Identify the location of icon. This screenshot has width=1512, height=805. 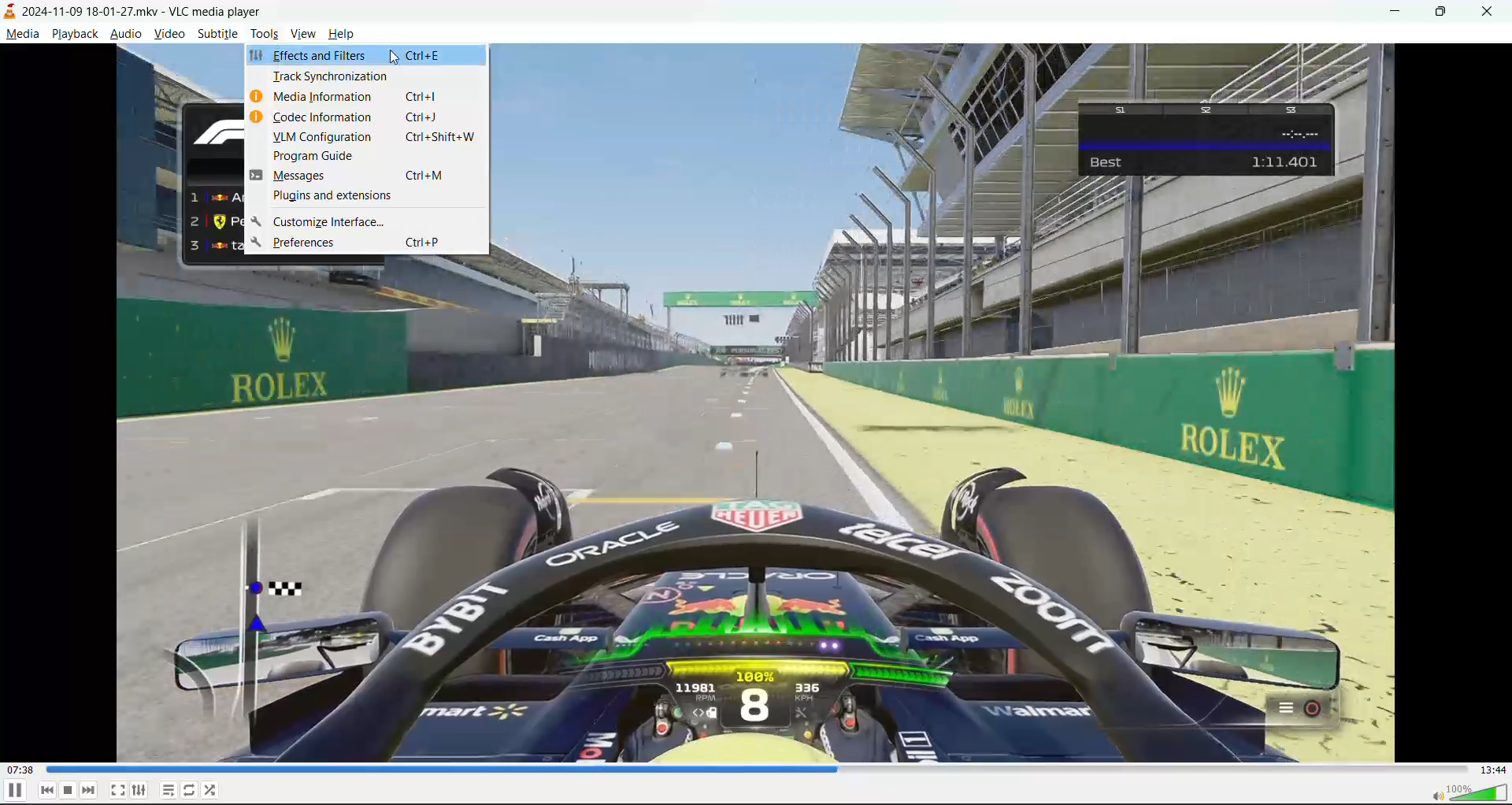
(257, 117).